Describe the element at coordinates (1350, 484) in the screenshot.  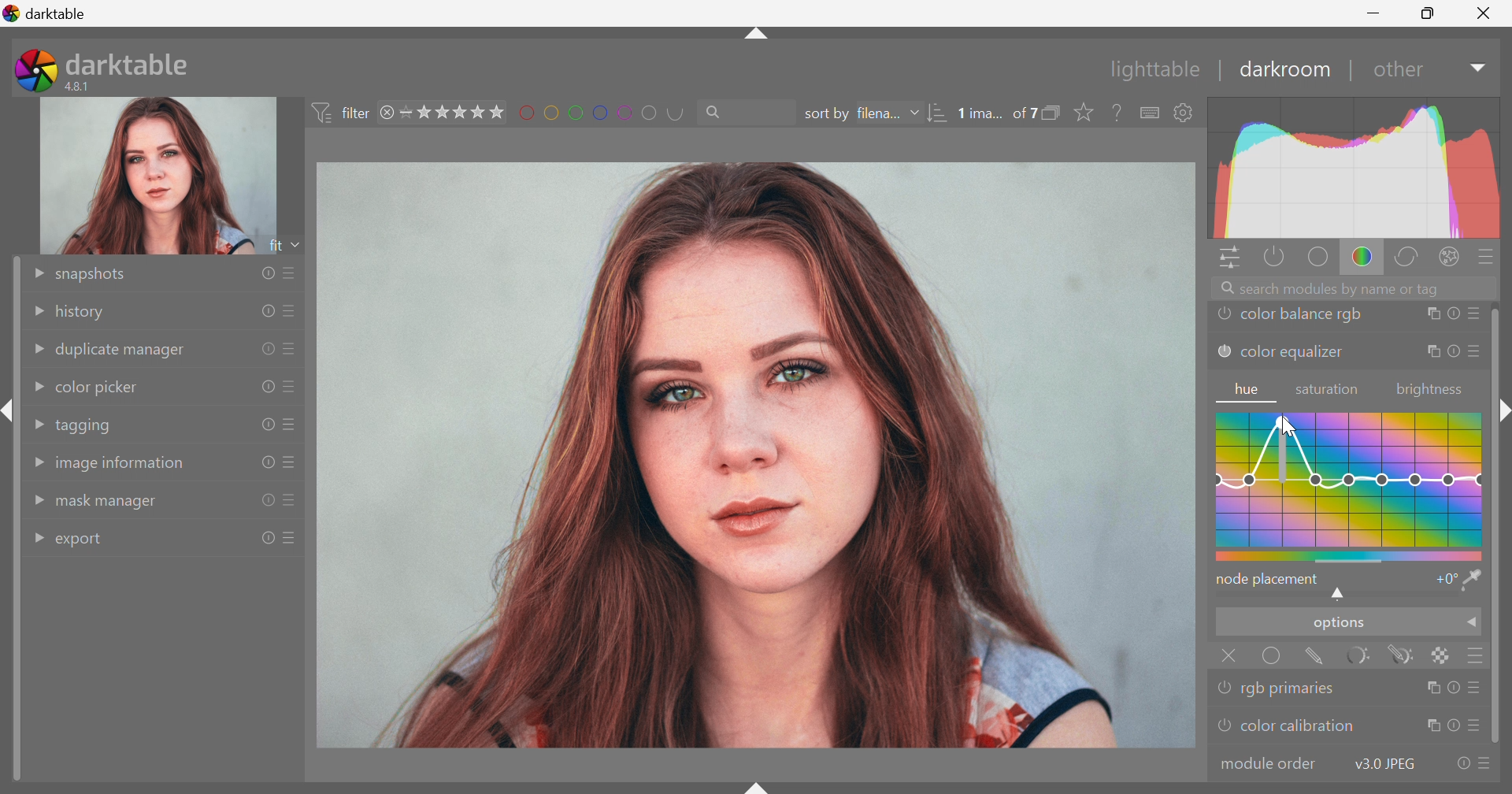
I see `hue` at that location.